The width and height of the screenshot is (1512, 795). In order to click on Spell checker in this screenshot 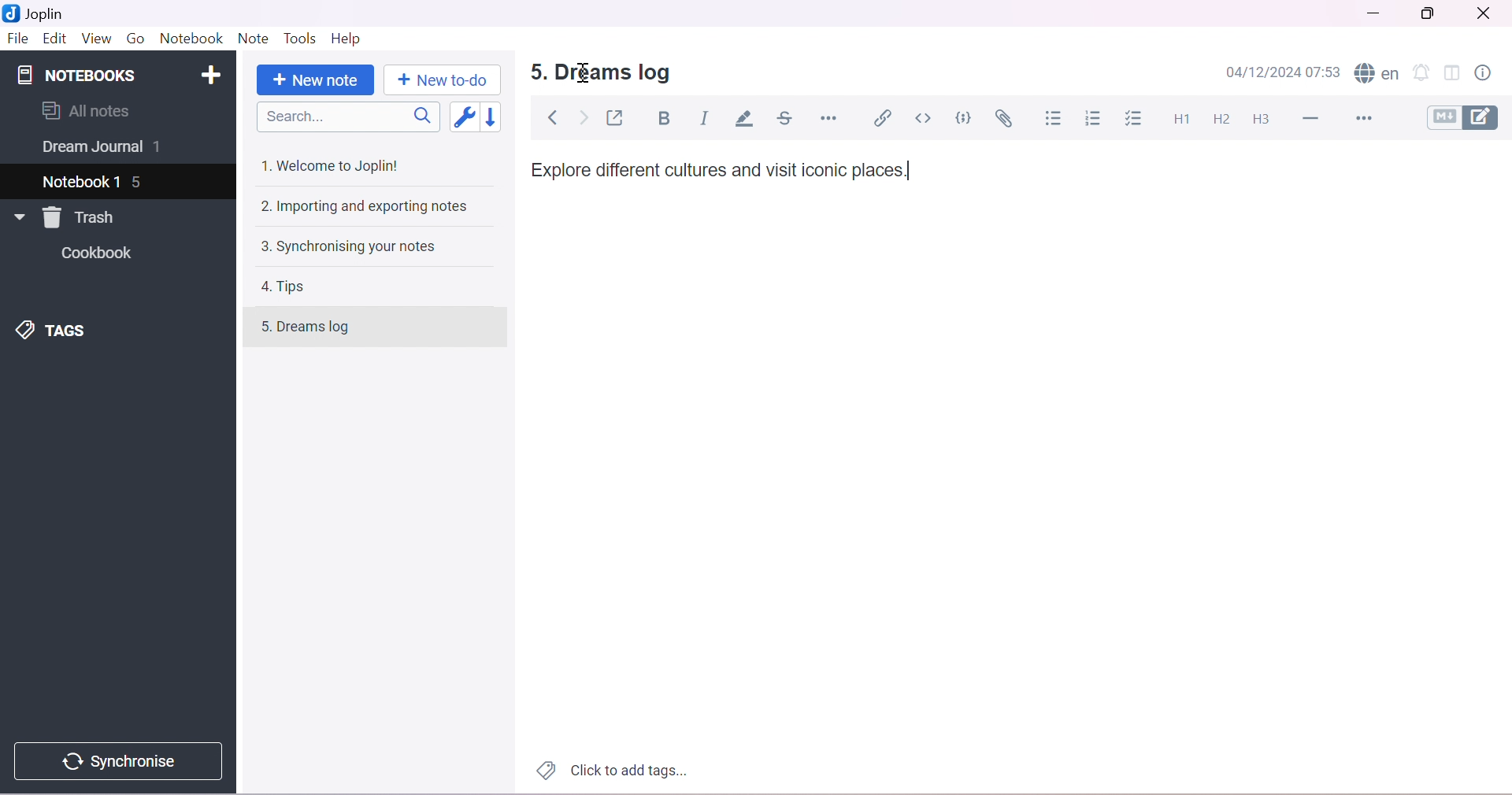, I will do `click(1378, 74)`.